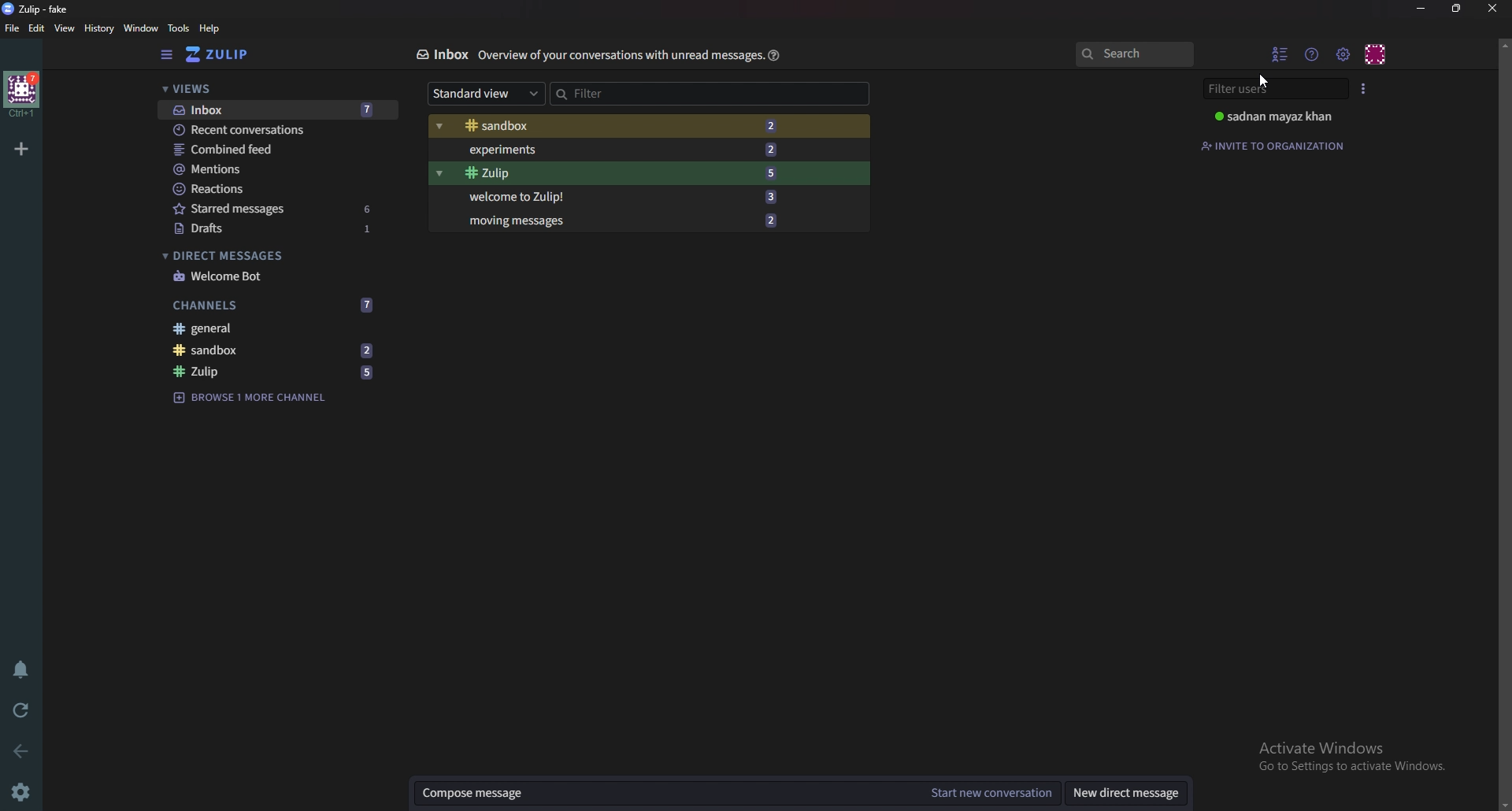 This screenshot has width=1512, height=811. Describe the element at coordinates (672, 94) in the screenshot. I see `Filter` at that location.